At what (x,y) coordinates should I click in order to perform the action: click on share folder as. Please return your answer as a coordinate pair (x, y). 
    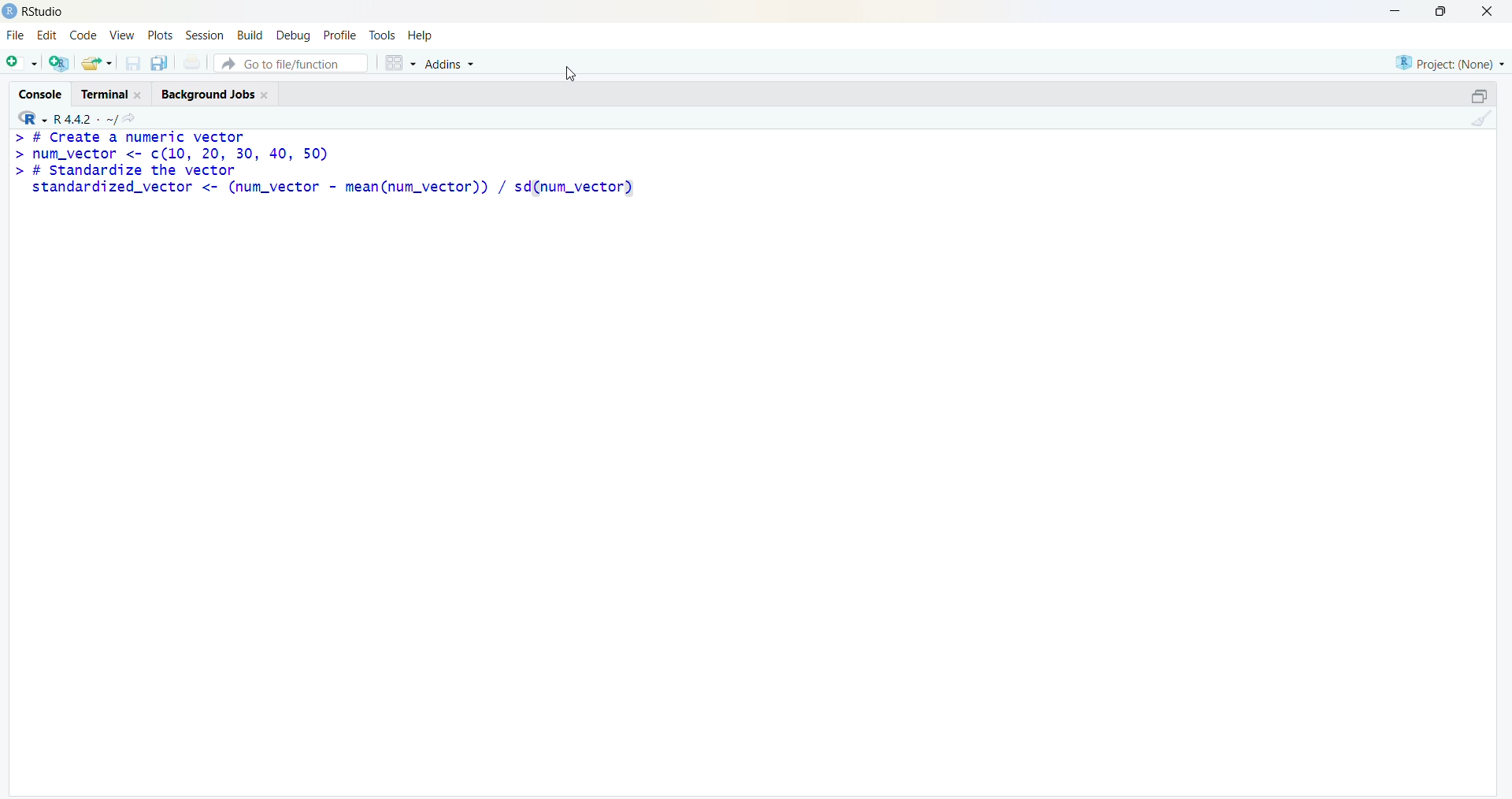
    Looking at the image, I should click on (98, 63).